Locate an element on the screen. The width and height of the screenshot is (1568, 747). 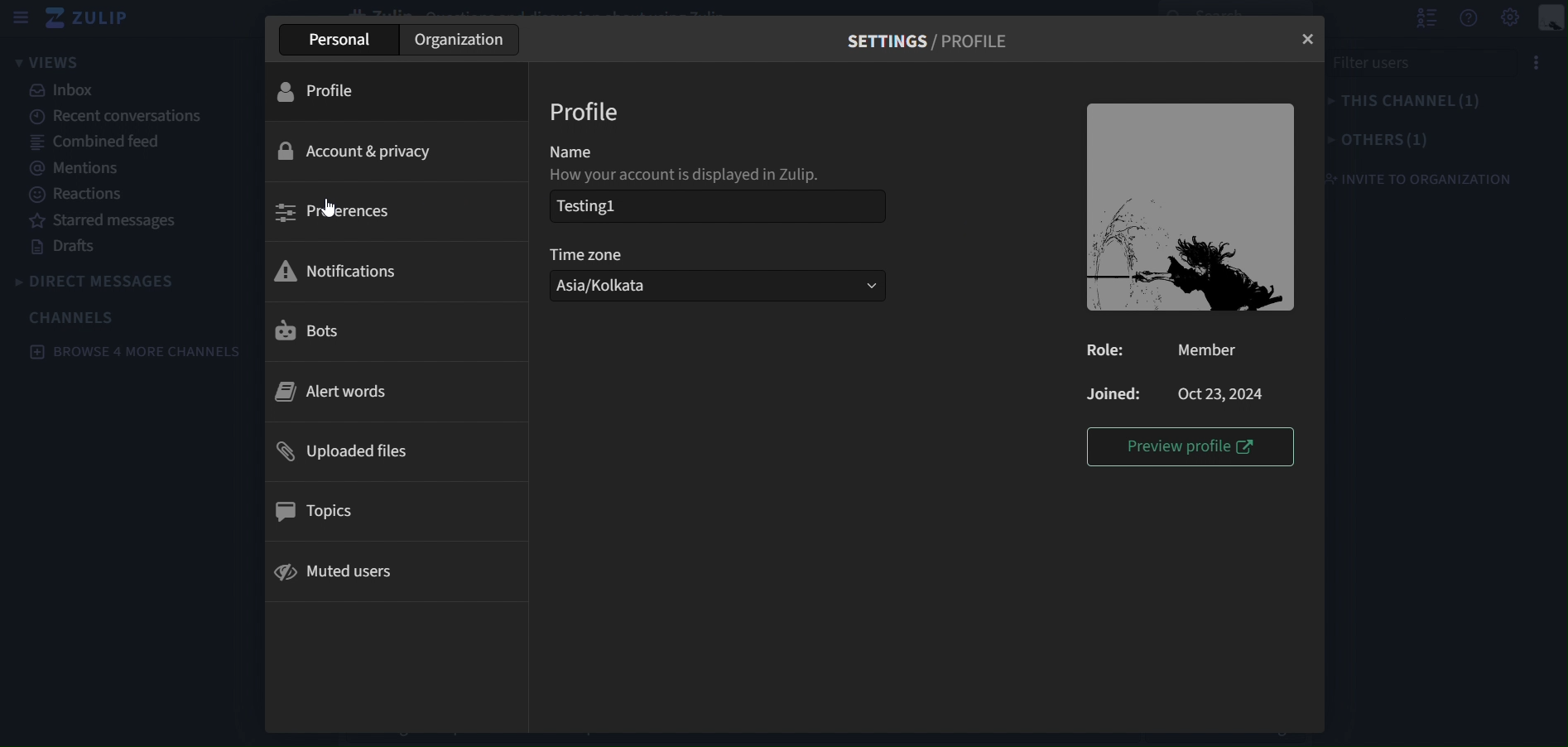
inbox is located at coordinates (69, 91).